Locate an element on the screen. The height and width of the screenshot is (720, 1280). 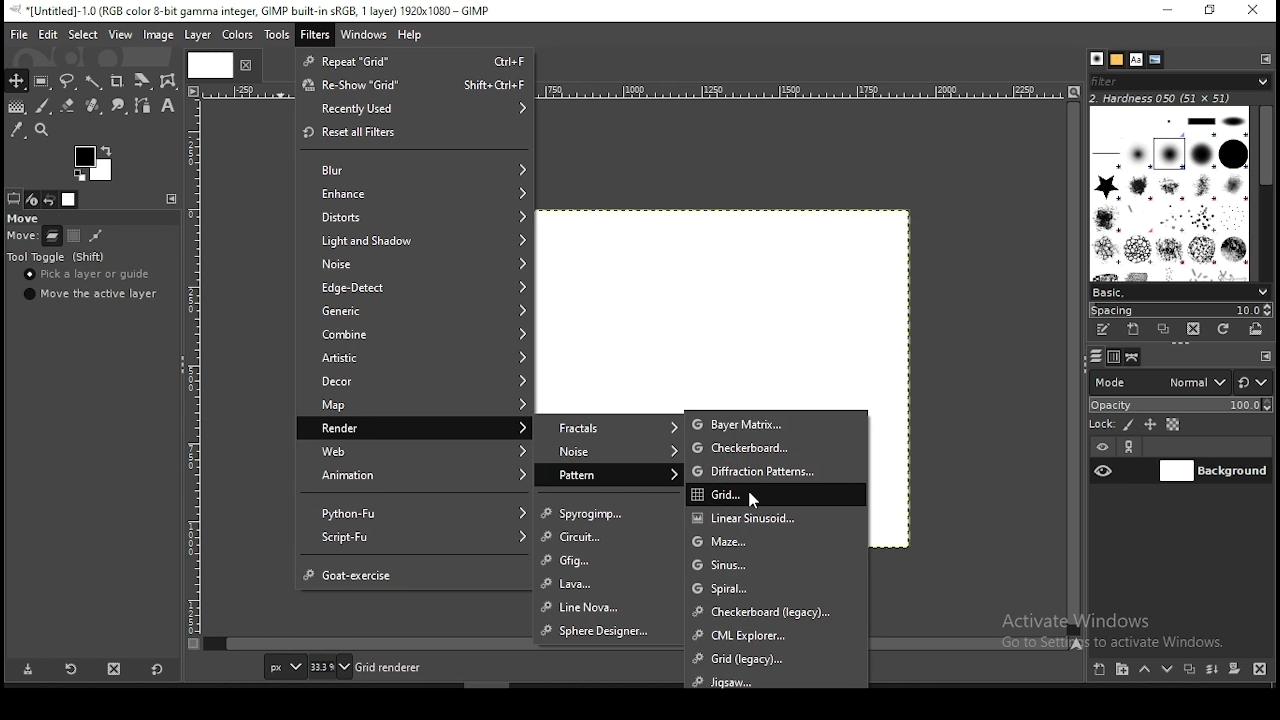
close is located at coordinates (244, 65).